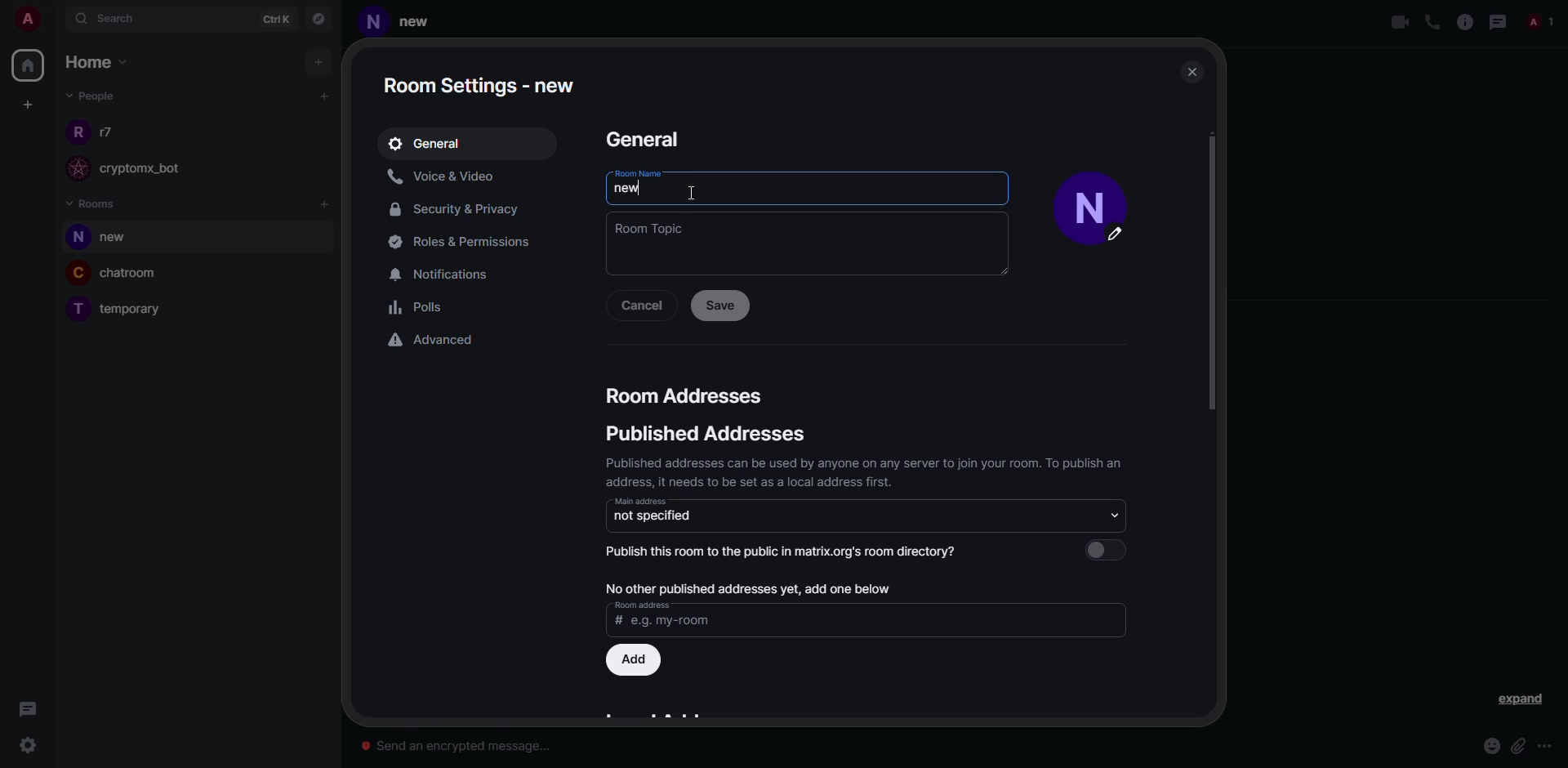 The height and width of the screenshot is (768, 1568). Describe the element at coordinates (1111, 549) in the screenshot. I see `enable` at that location.